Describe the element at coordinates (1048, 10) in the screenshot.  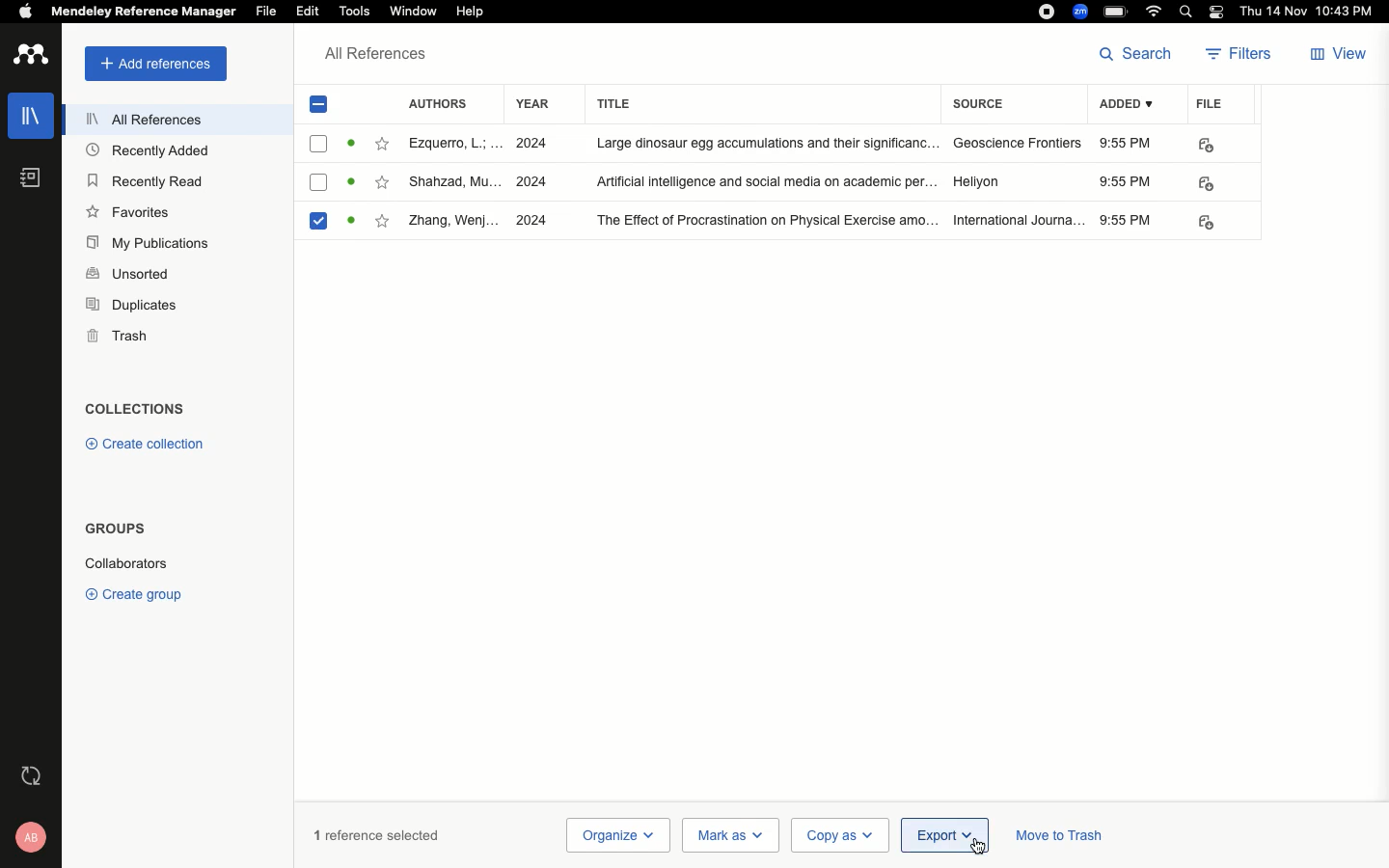
I see `Recording` at that location.